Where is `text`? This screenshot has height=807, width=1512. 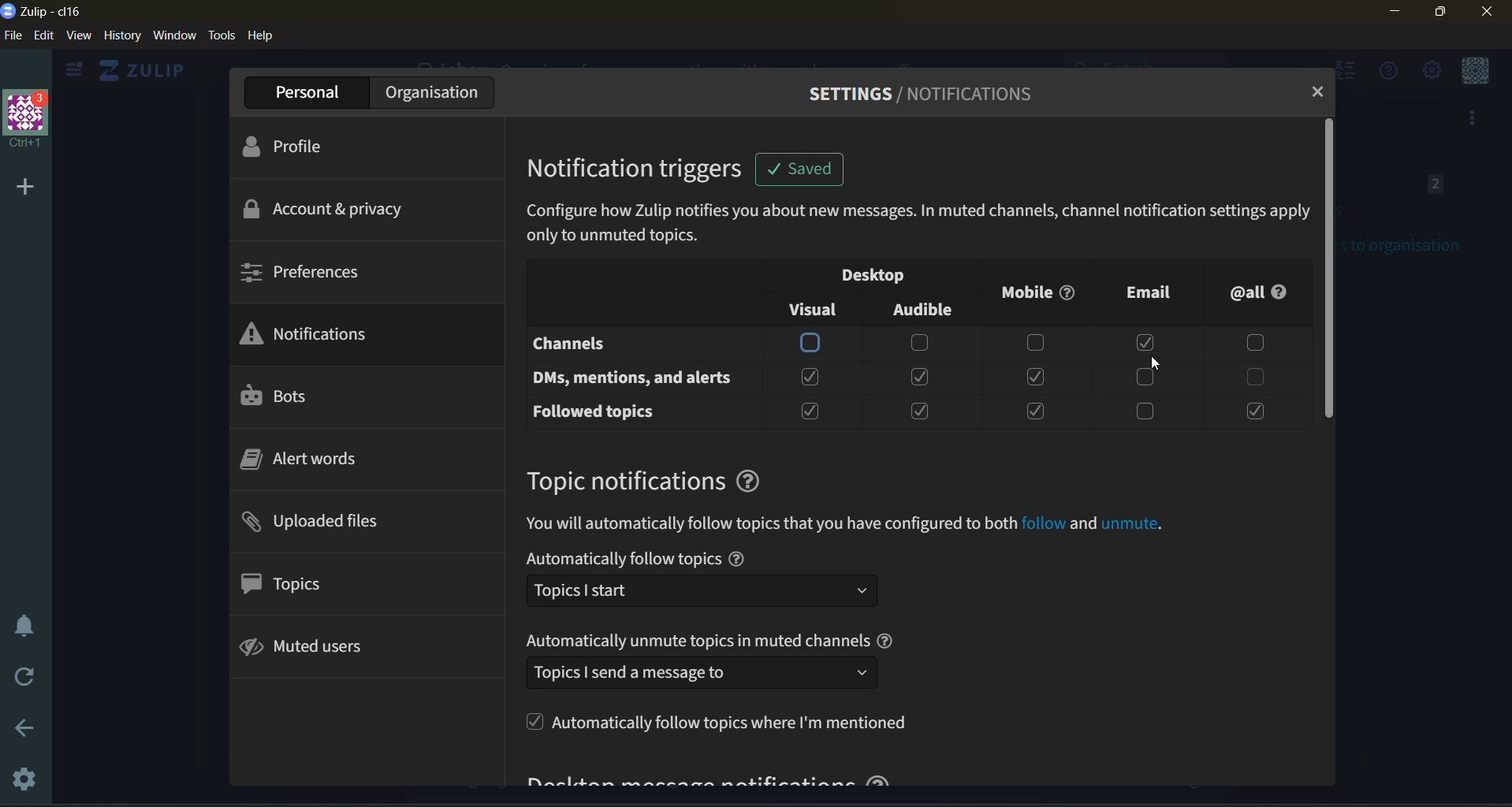
text is located at coordinates (697, 640).